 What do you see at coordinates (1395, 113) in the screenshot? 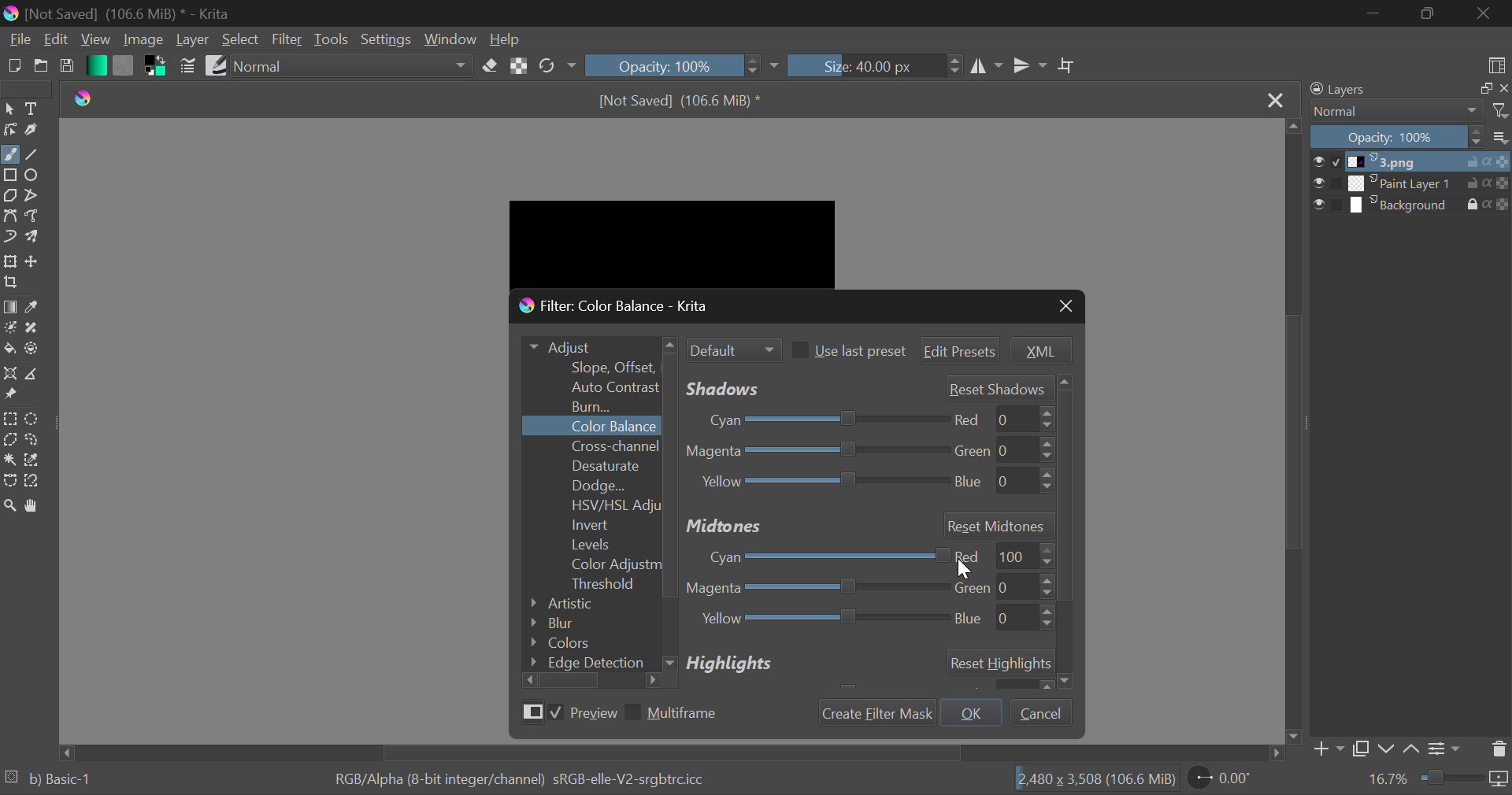
I see `Normal` at bounding box center [1395, 113].